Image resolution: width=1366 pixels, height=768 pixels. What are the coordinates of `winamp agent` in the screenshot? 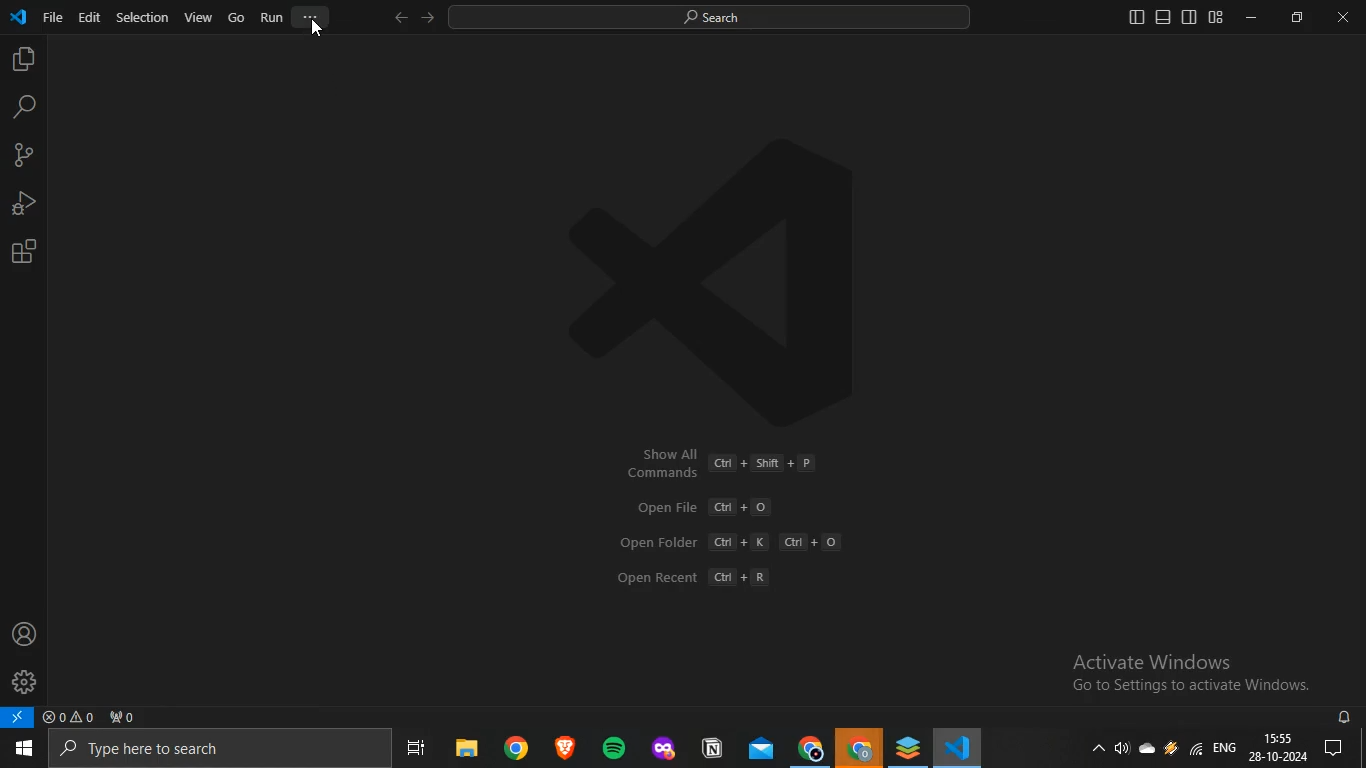 It's located at (1171, 752).